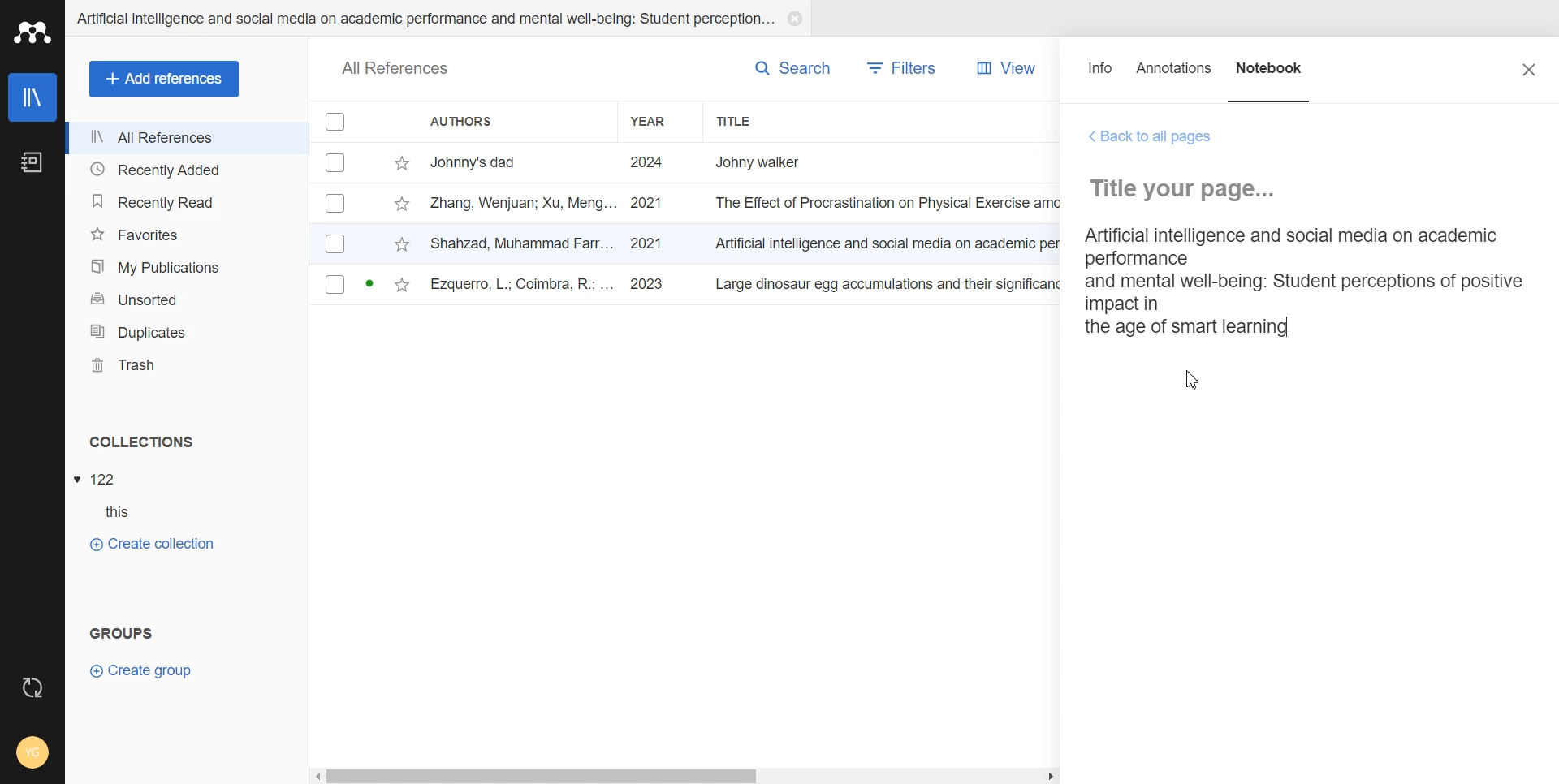 This screenshot has width=1559, height=784. I want to click on 2021, so click(647, 204).